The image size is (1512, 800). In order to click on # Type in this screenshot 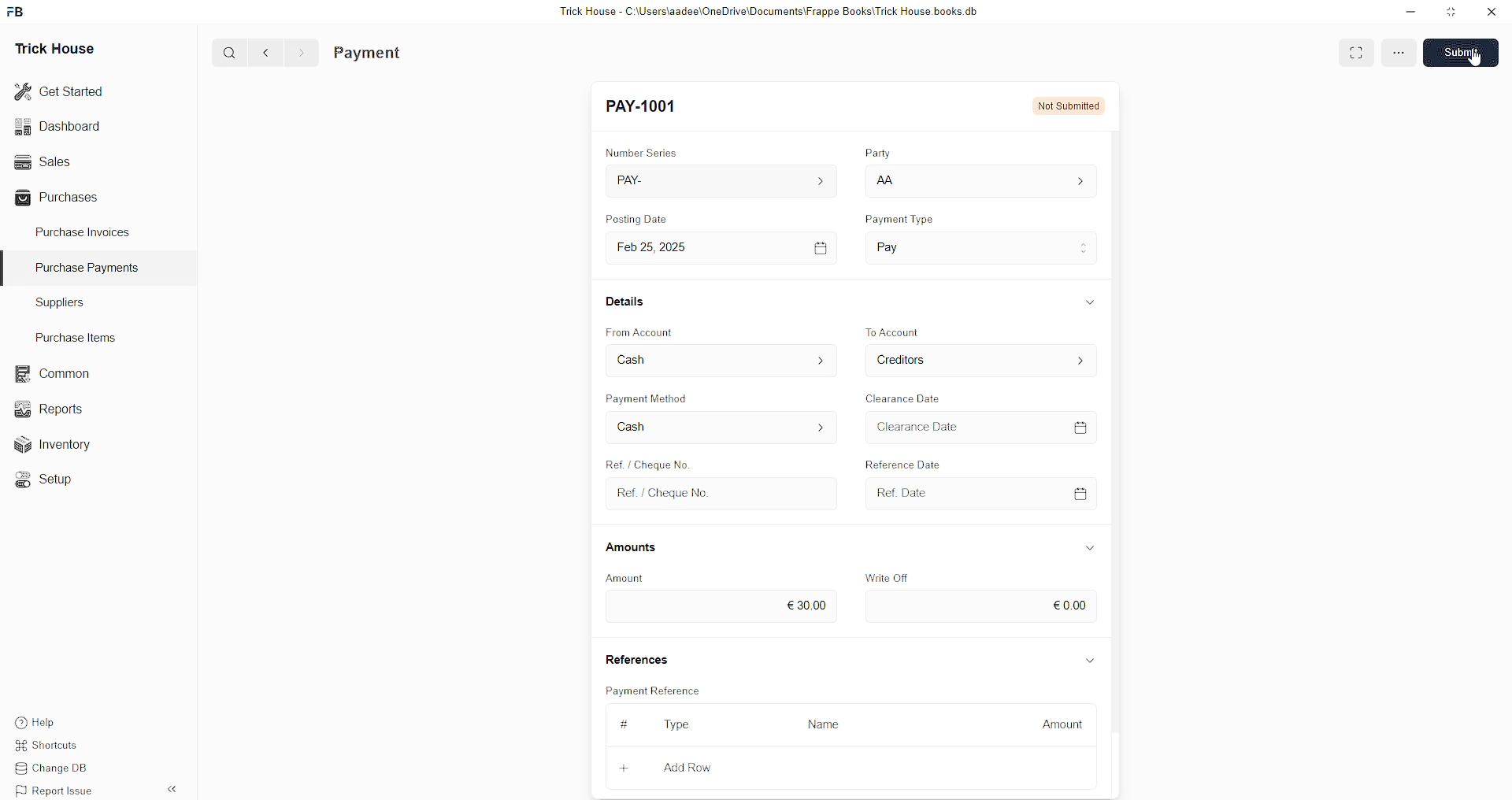, I will do `click(650, 723)`.